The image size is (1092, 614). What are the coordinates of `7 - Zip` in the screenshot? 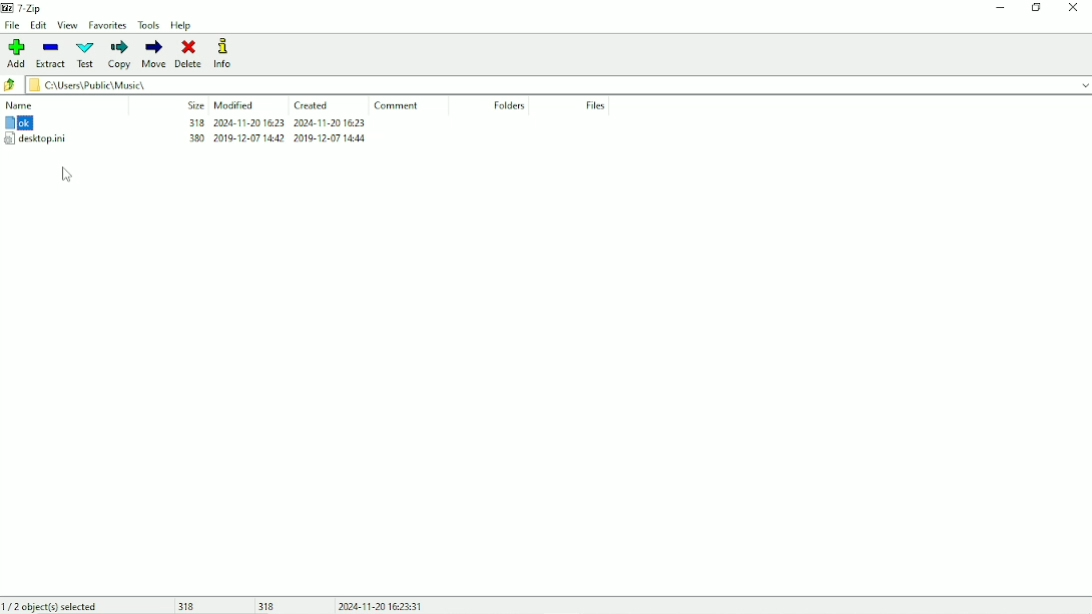 It's located at (25, 7).